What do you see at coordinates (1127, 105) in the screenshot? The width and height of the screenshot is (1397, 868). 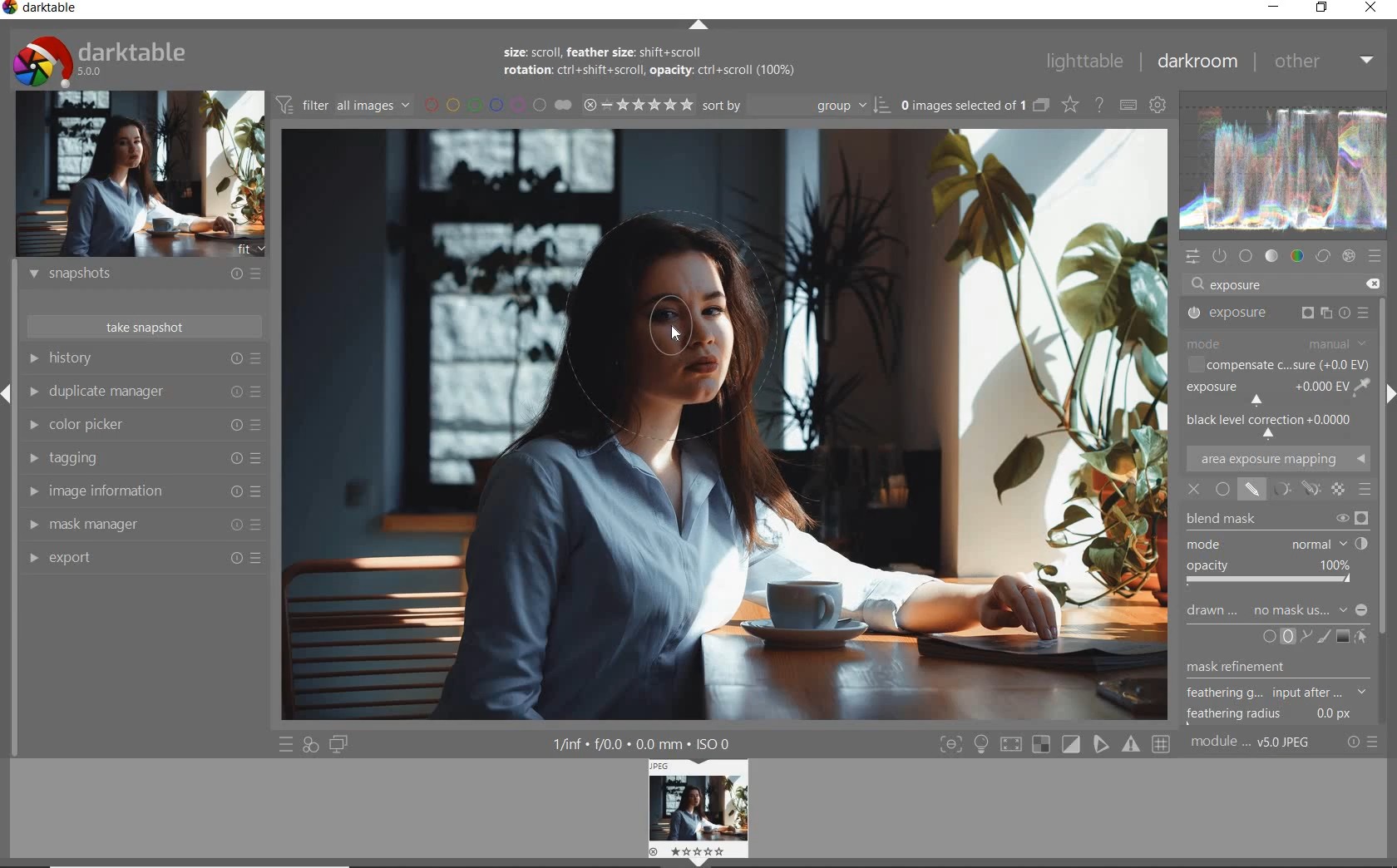 I see `set keyboard shortcuts` at bounding box center [1127, 105].